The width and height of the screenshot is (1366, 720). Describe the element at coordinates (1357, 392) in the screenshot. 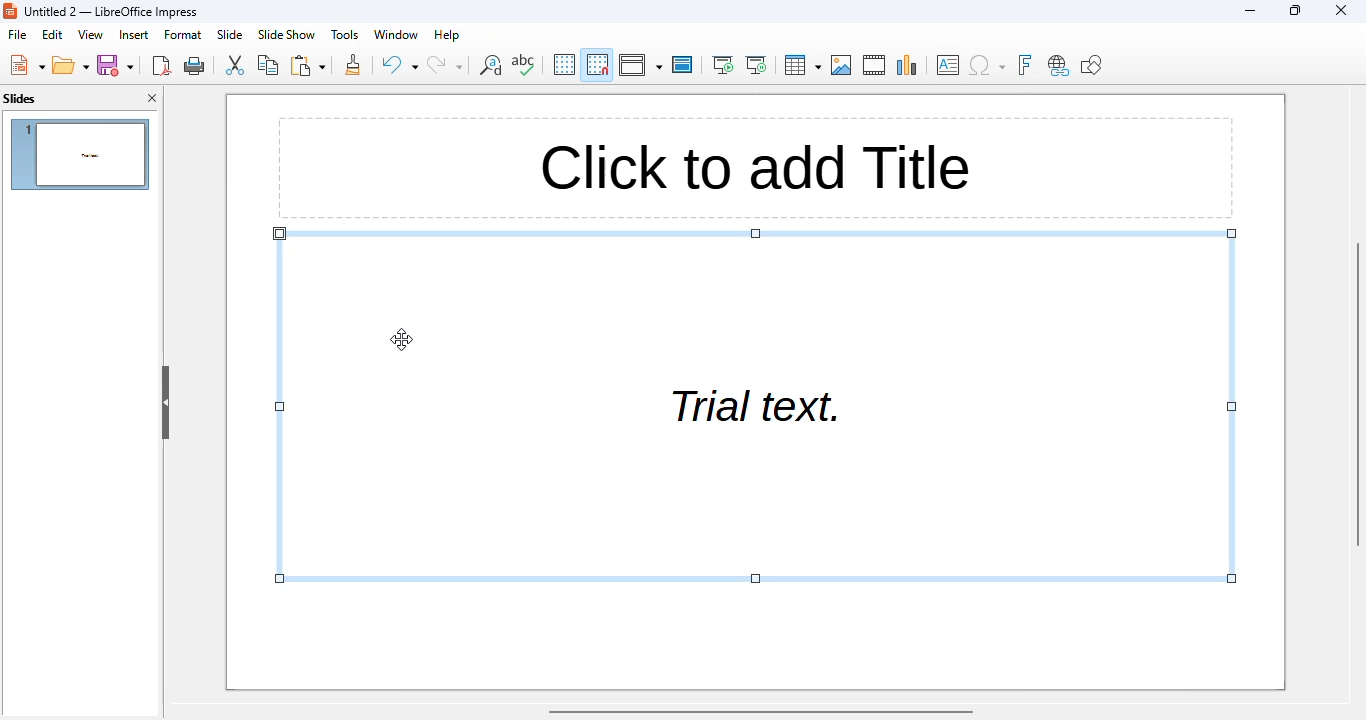

I see `vertical scroll bar` at that location.